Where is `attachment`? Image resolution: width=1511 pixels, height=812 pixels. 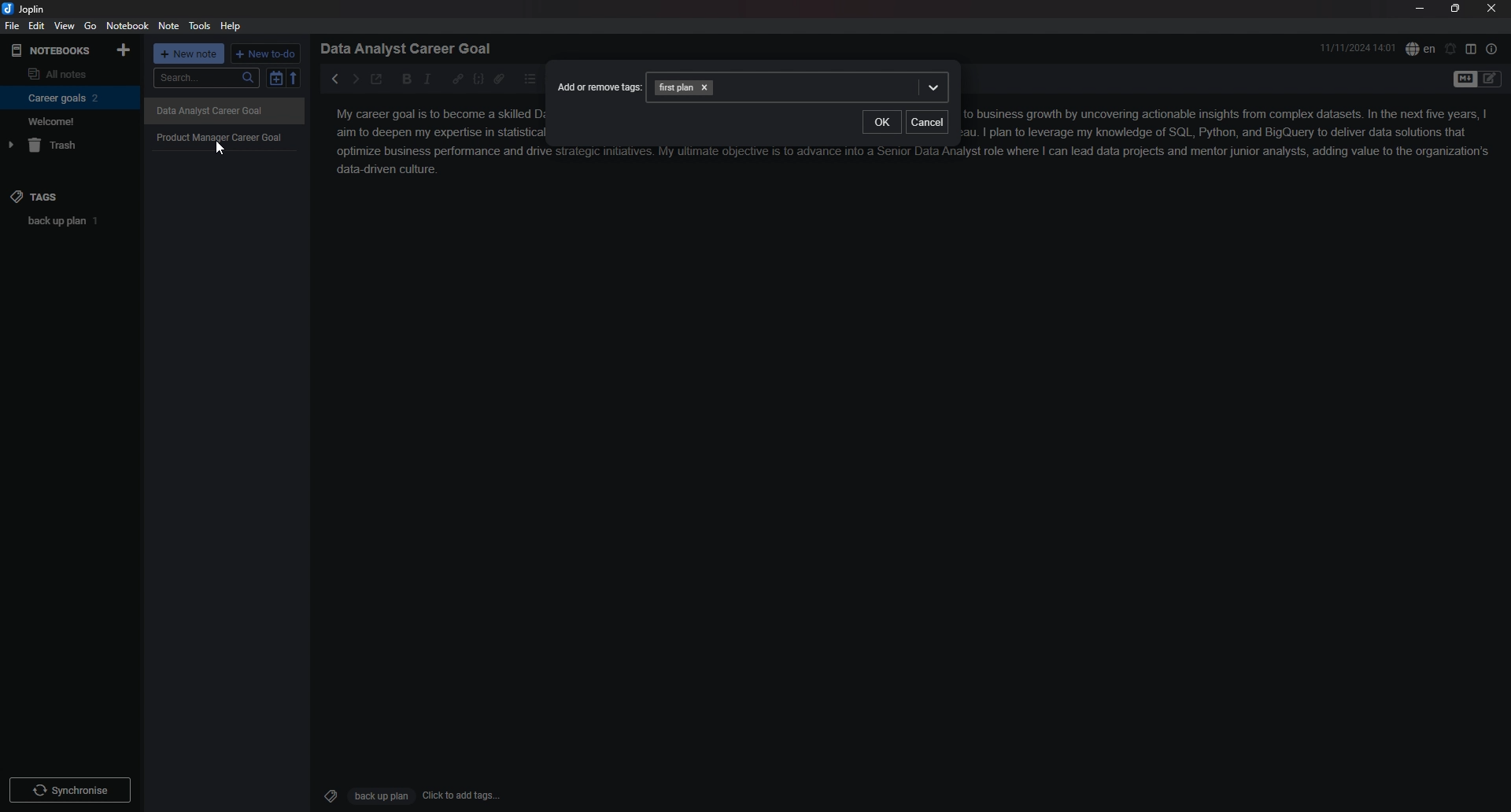
attachment is located at coordinates (499, 79).